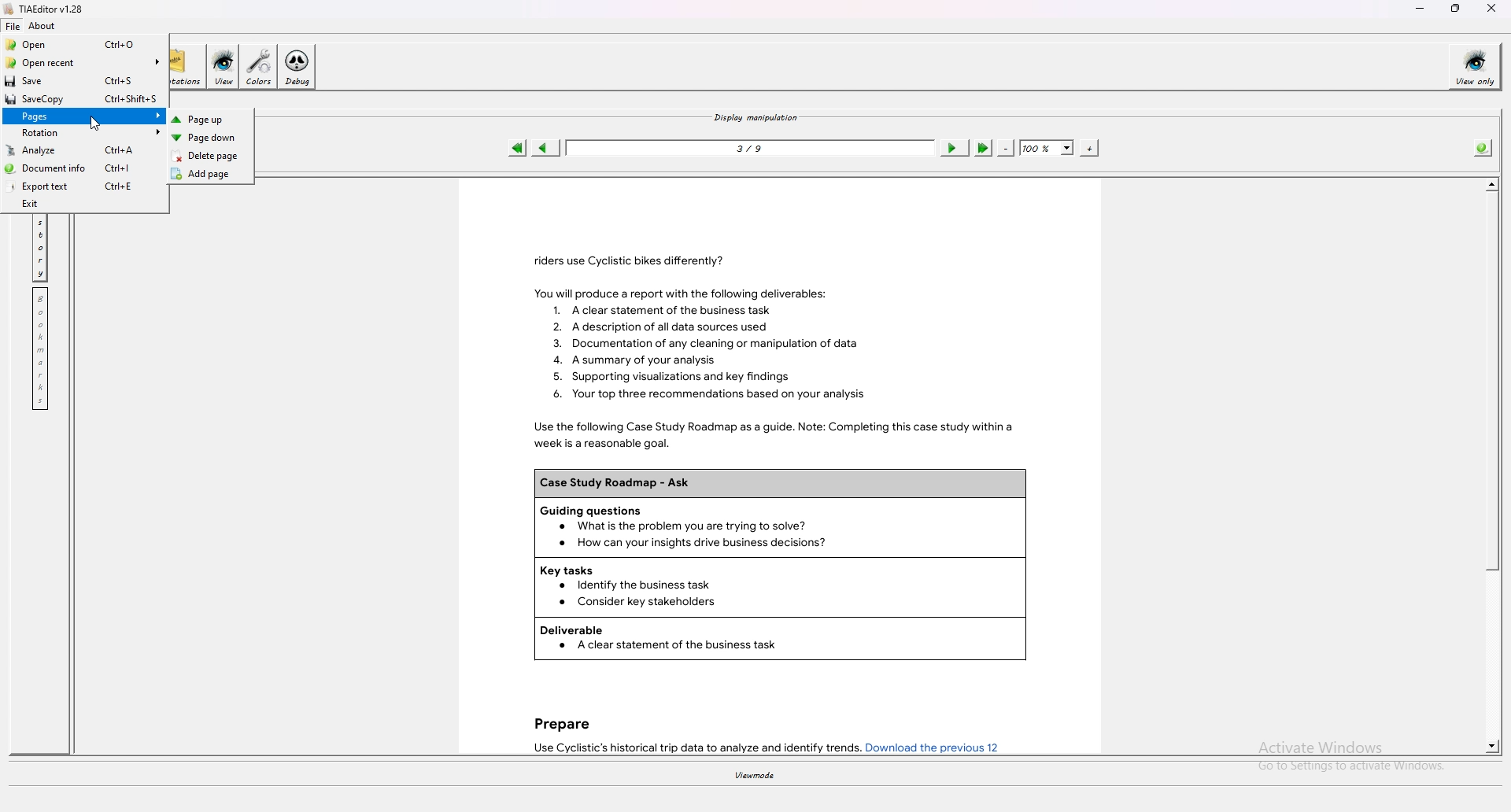 This screenshot has width=1511, height=812. Describe the element at coordinates (691, 747) in the screenshot. I see `Use Cyclistic’s historical trip data to analyze and identify trends.` at that location.